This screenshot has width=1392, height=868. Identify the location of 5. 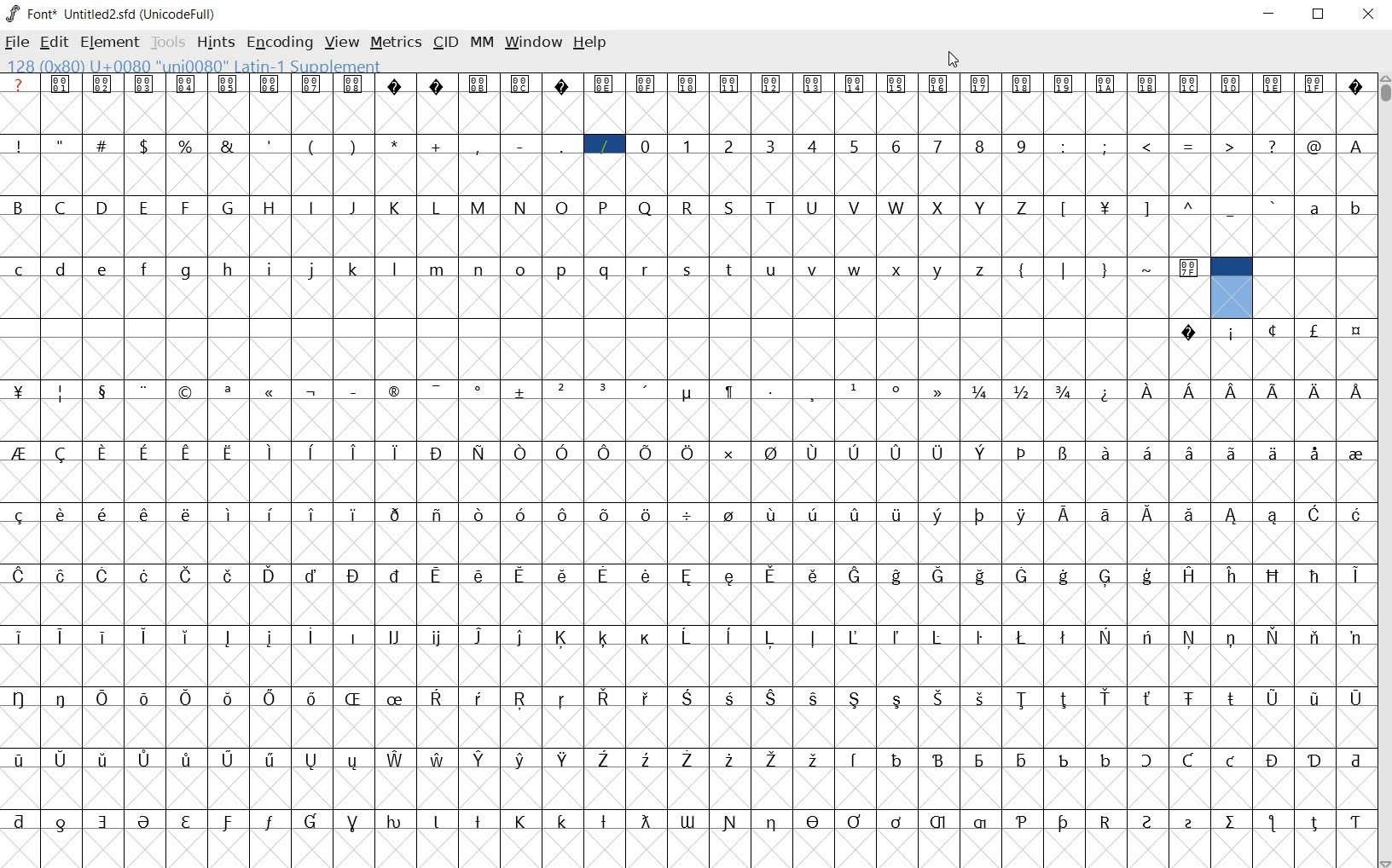
(857, 145).